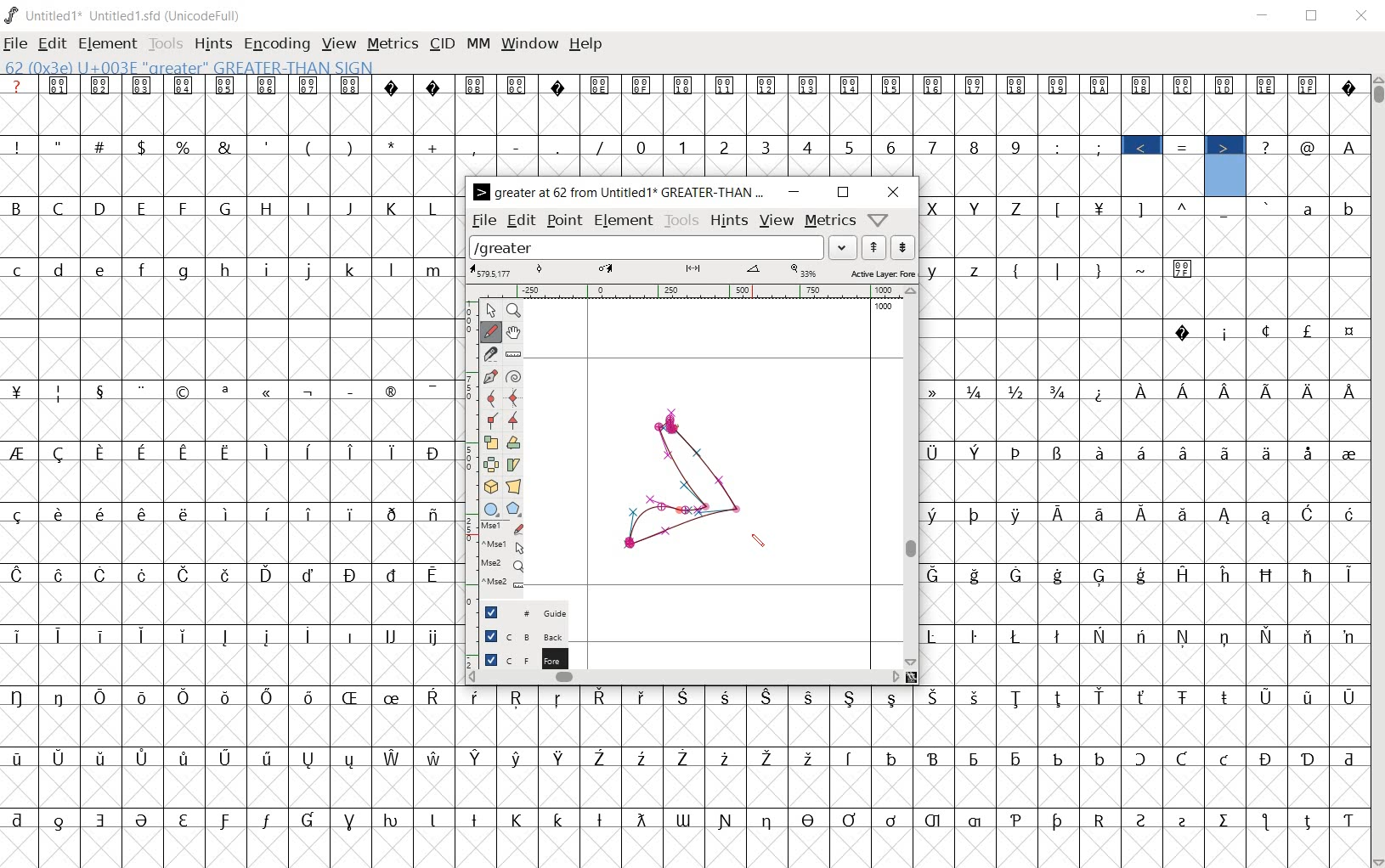 The image size is (1385, 868). Describe the element at coordinates (514, 442) in the screenshot. I see `Rotate the selection` at that location.